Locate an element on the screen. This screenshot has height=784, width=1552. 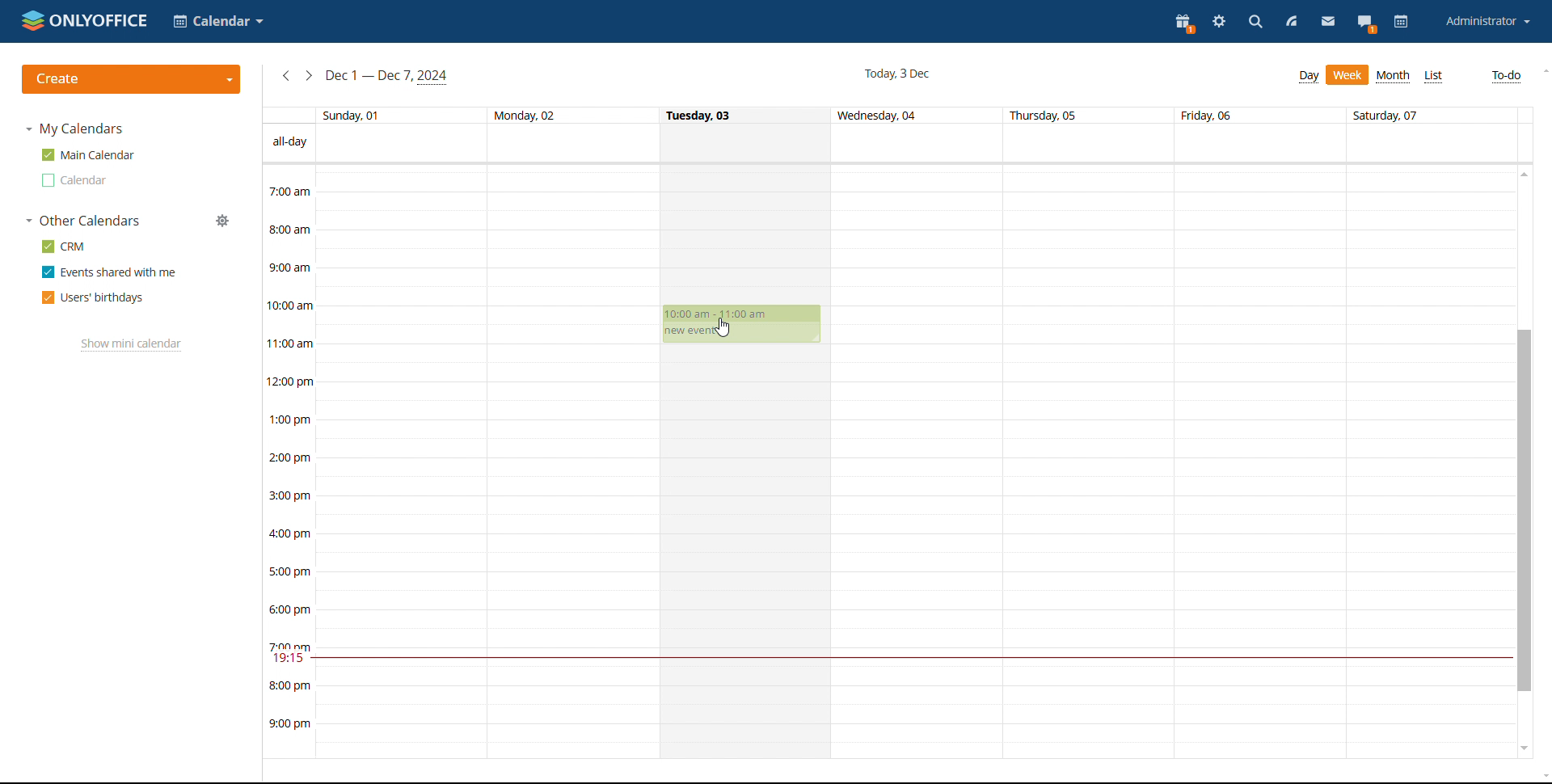
cursor is located at coordinates (725, 327).